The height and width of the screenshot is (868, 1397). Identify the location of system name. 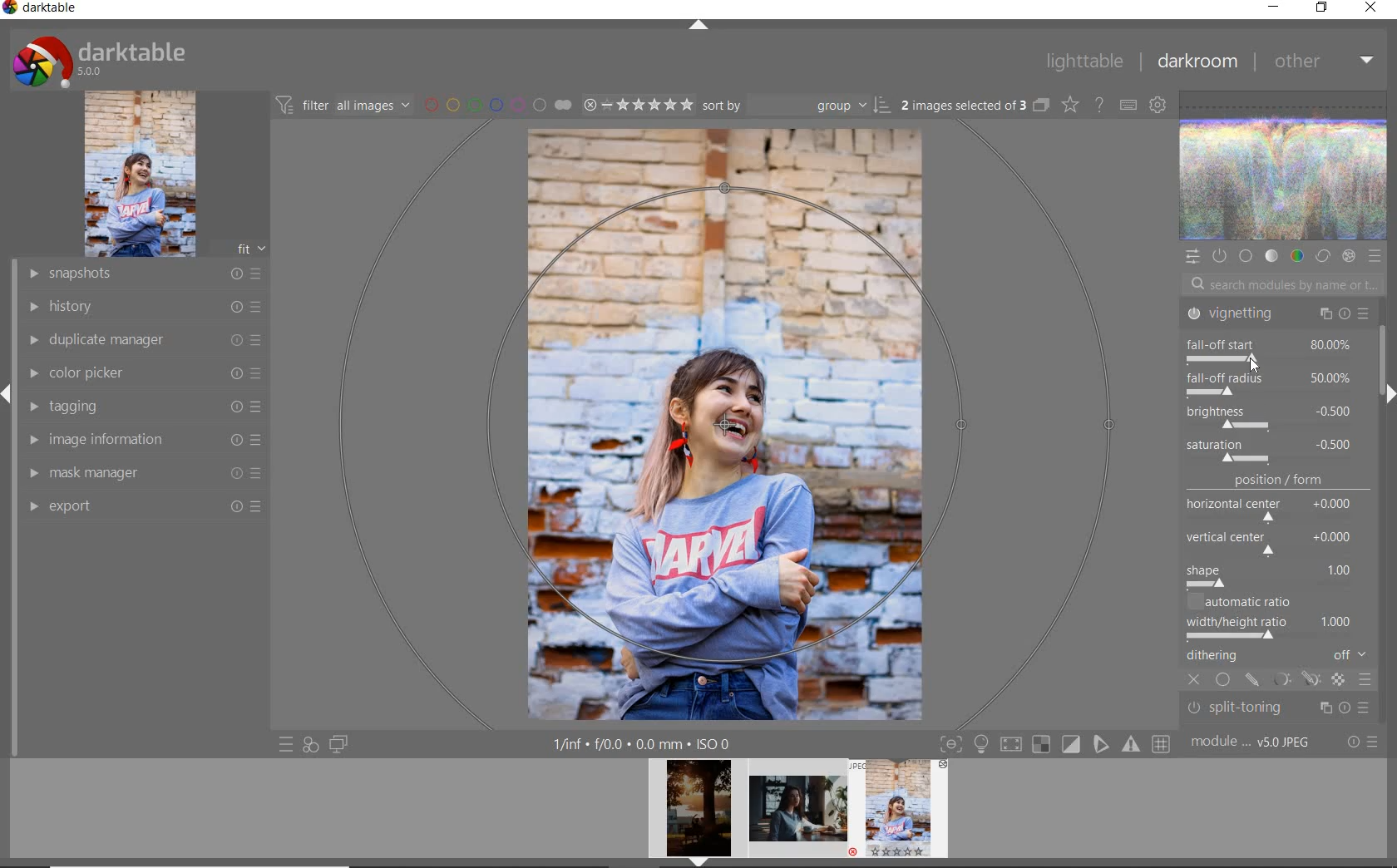
(41, 10).